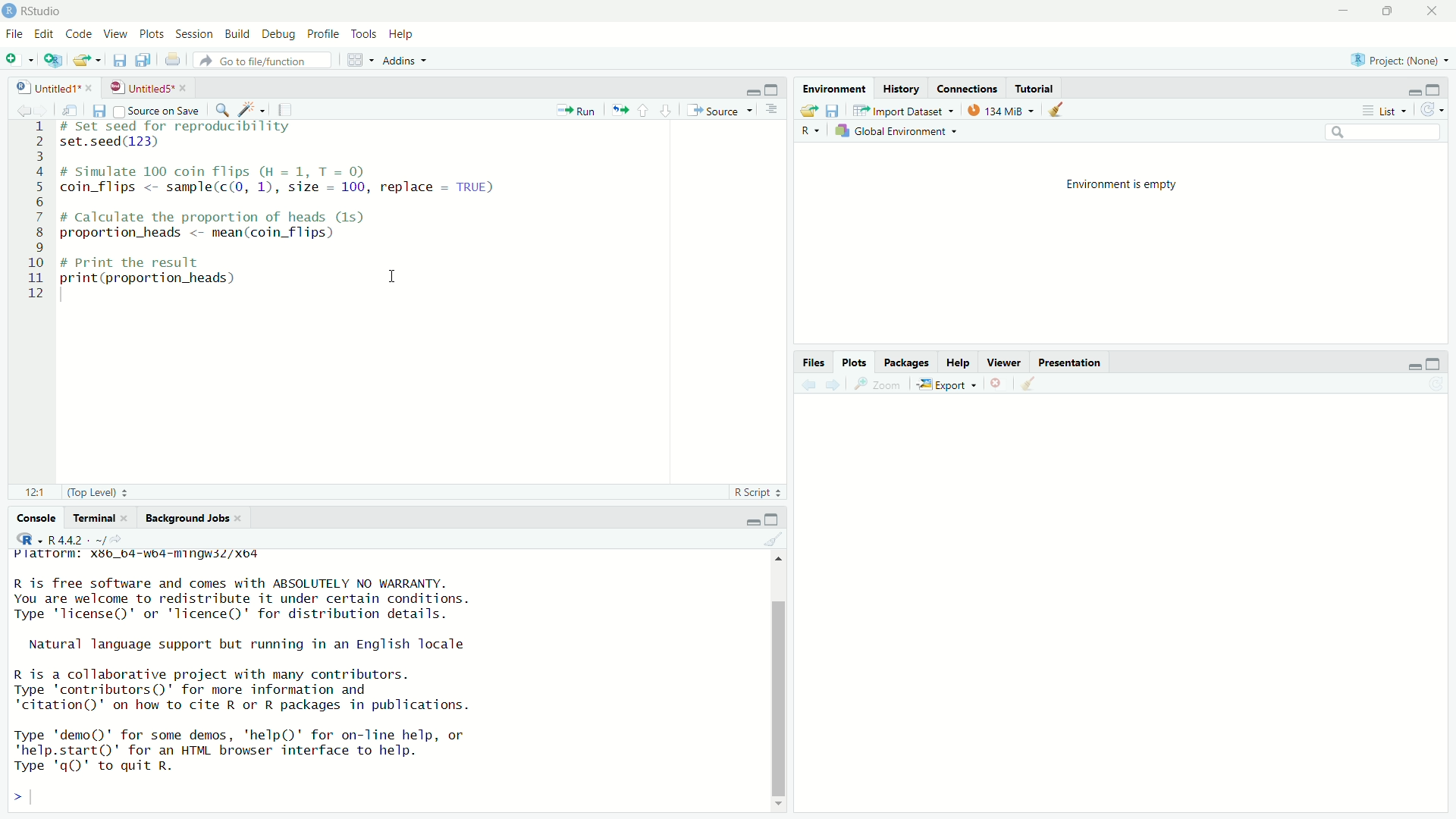 This screenshot has height=819, width=1456. What do you see at coordinates (1006, 362) in the screenshot?
I see `Viewer` at bounding box center [1006, 362].